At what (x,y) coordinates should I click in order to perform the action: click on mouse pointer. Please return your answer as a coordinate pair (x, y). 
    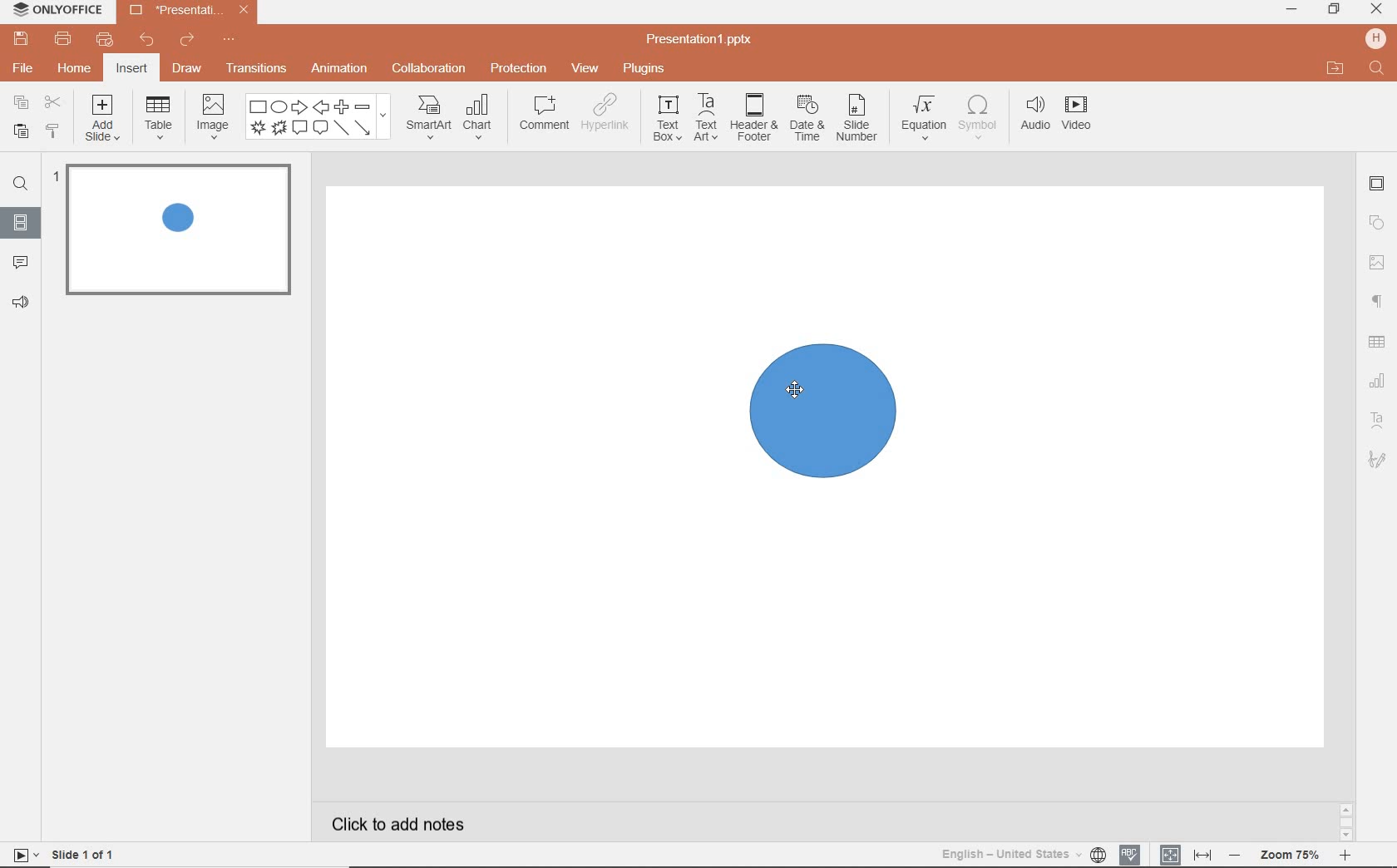
    Looking at the image, I should click on (792, 384).